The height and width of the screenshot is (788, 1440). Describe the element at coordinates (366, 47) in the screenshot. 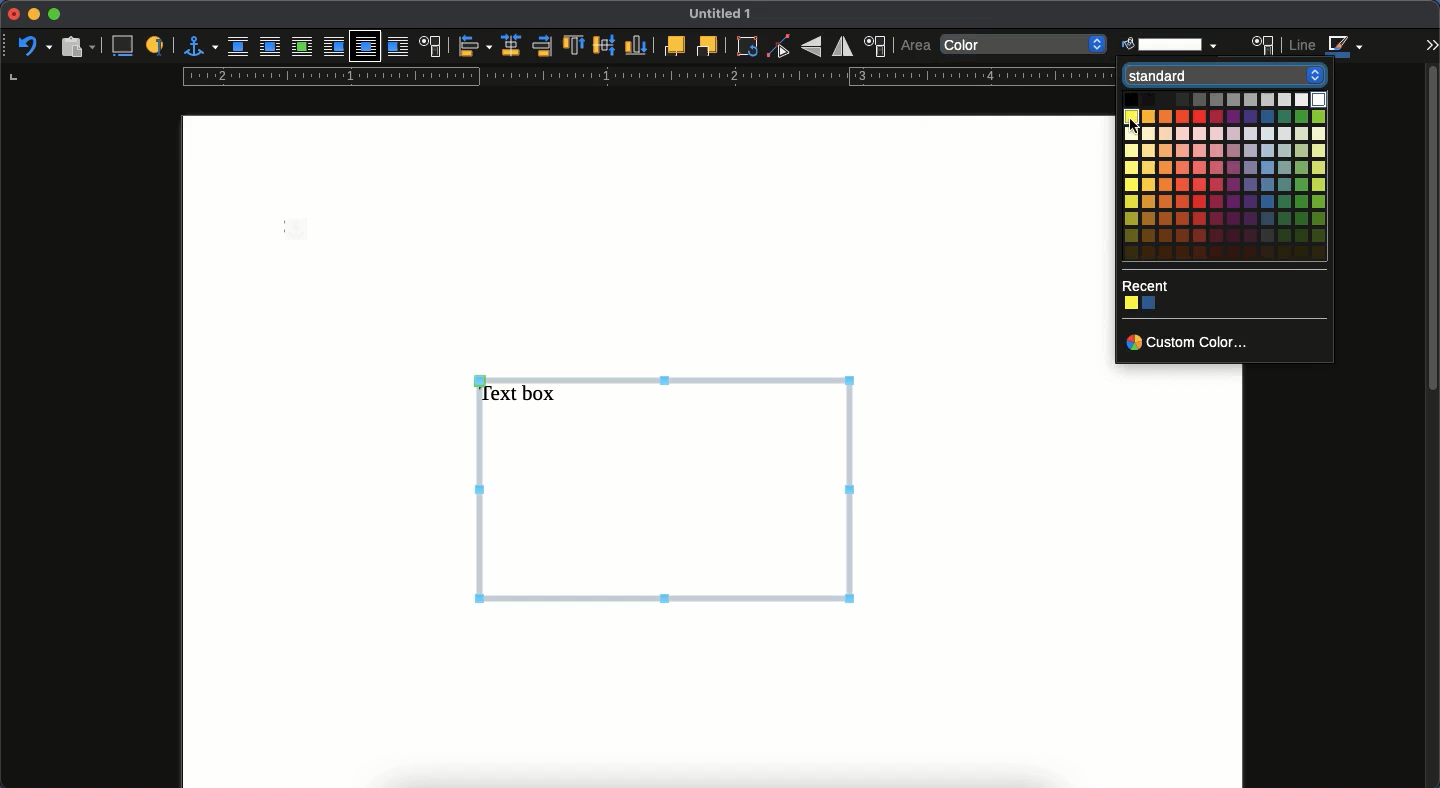

I see `through` at that location.